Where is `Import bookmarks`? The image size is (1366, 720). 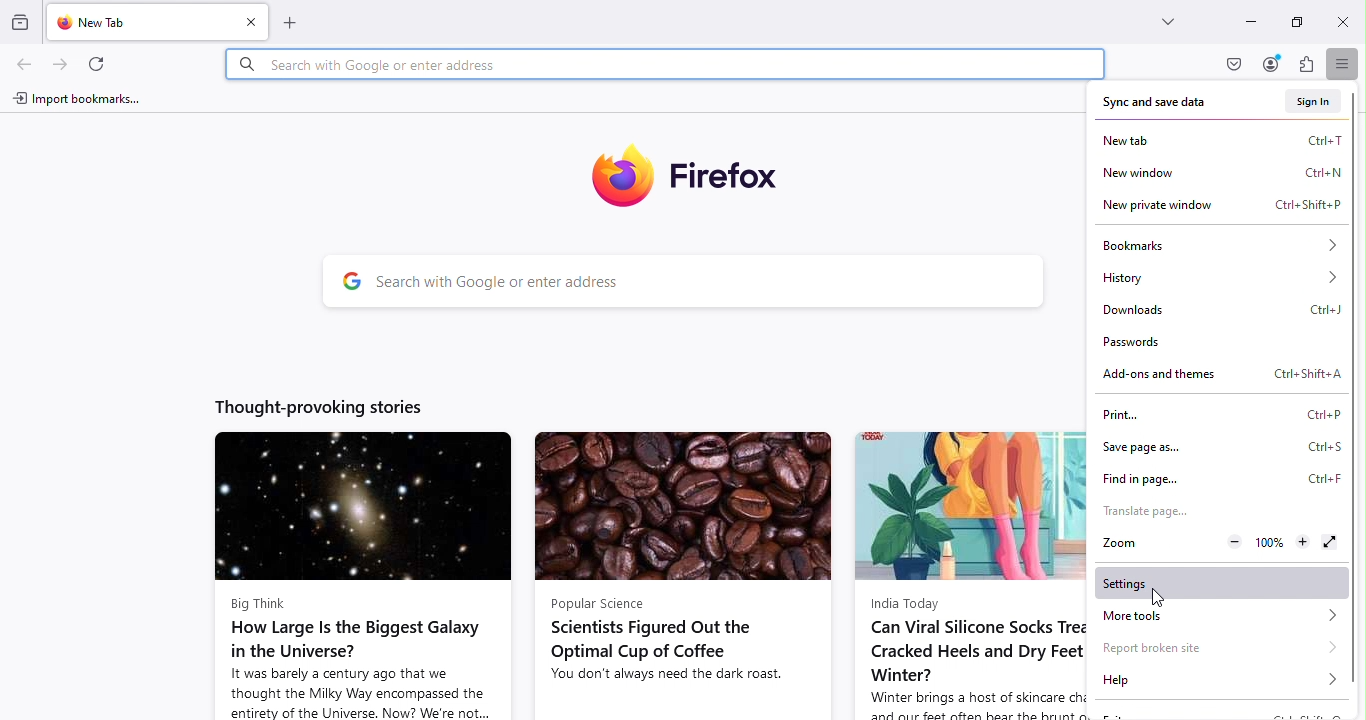 Import bookmarks is located at coordinates (74, 100).